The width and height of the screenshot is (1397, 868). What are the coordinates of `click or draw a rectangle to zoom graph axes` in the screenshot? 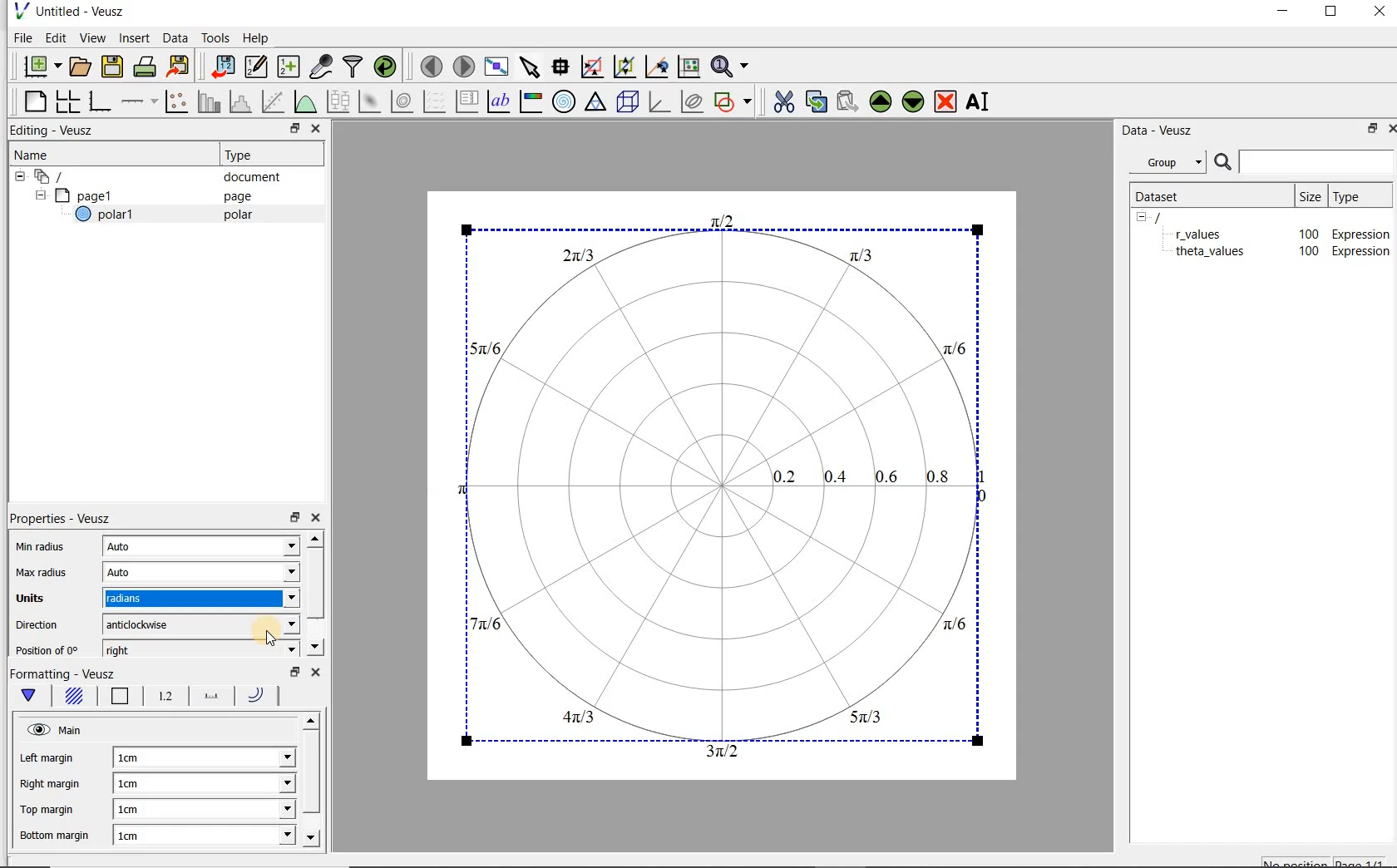 It's located at (595, 67).